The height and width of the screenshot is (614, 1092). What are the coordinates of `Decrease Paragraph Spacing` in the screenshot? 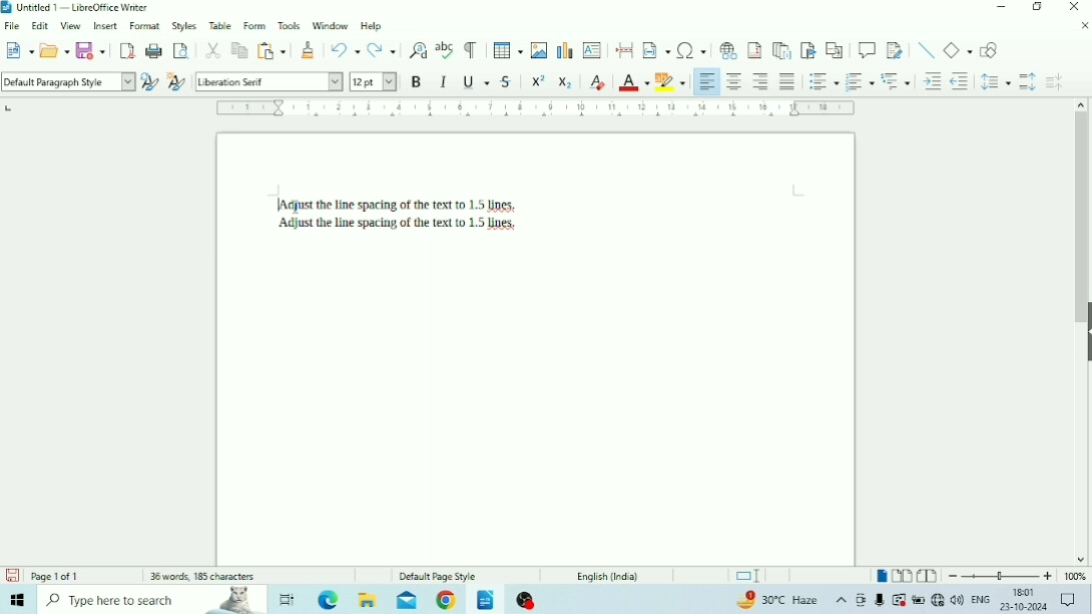 It's located at (1054, 83).